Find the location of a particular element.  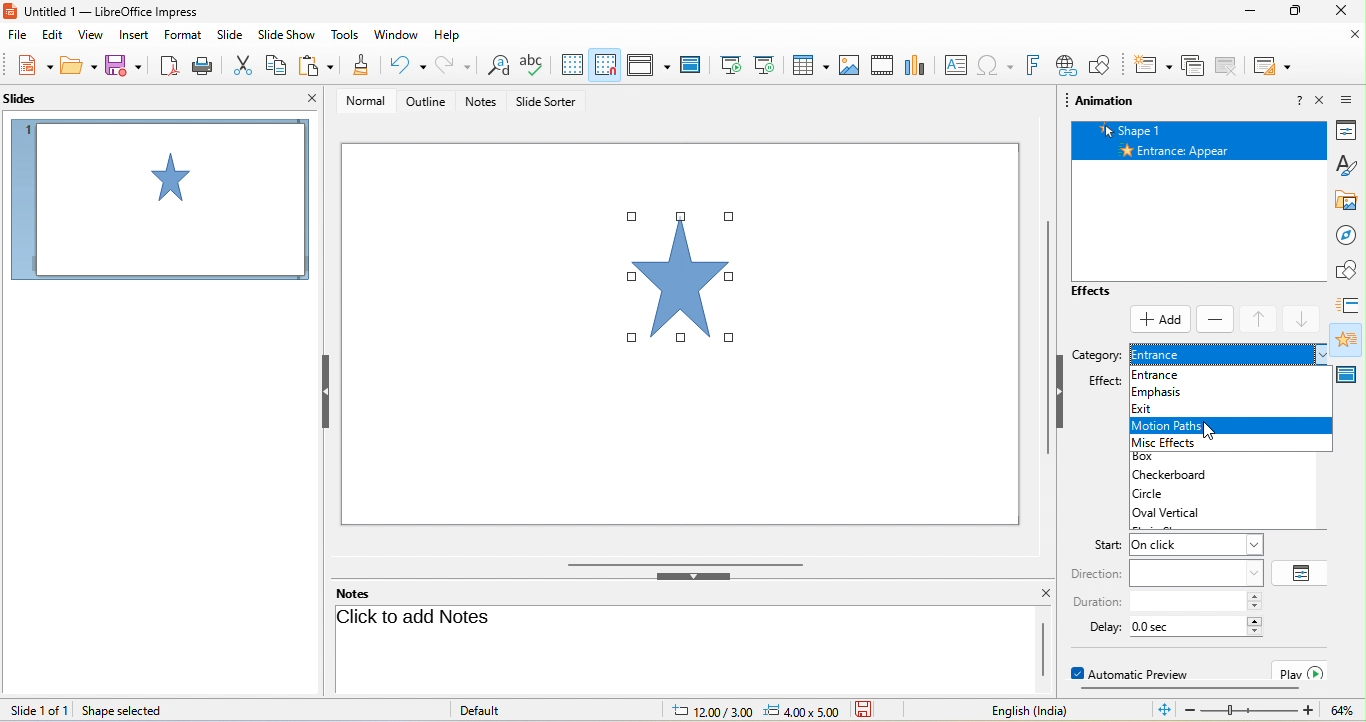

start is located at coordinates (1098, 546).